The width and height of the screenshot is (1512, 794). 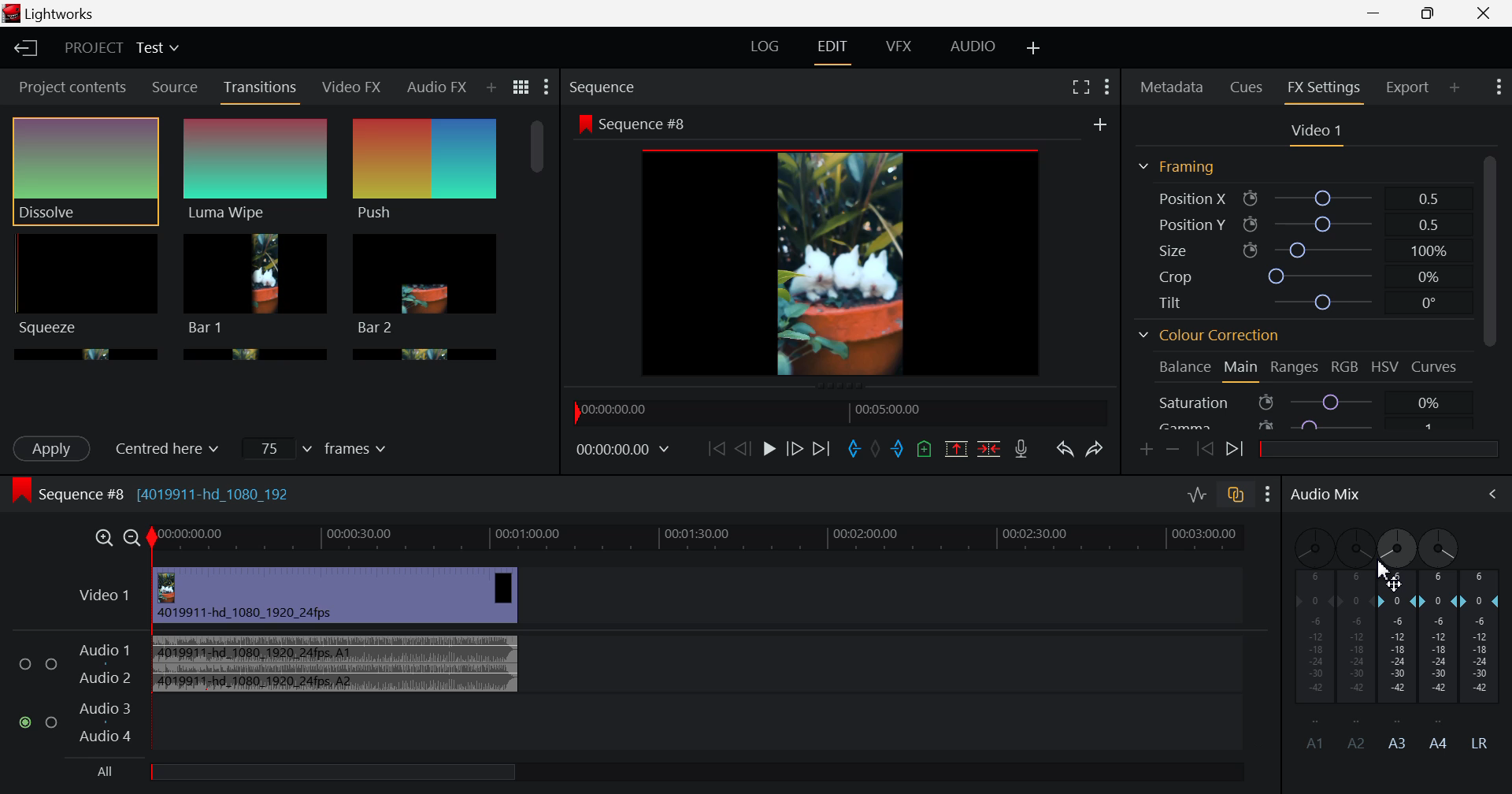 I want to click on Show Settings, so click(x=1268, y=496).